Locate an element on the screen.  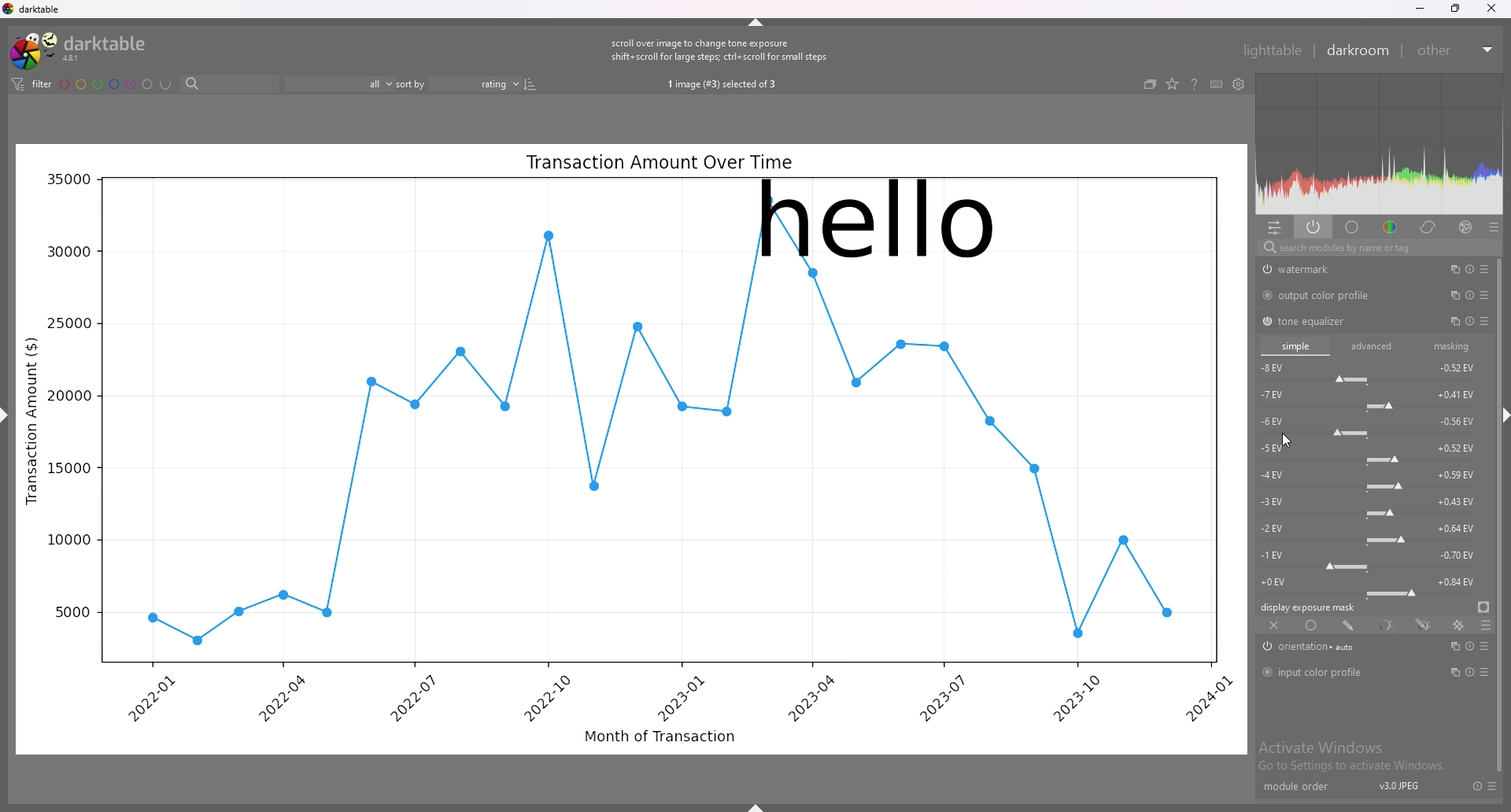
Go to Settings to activate Windows. is located at coordinates (1353, 767).